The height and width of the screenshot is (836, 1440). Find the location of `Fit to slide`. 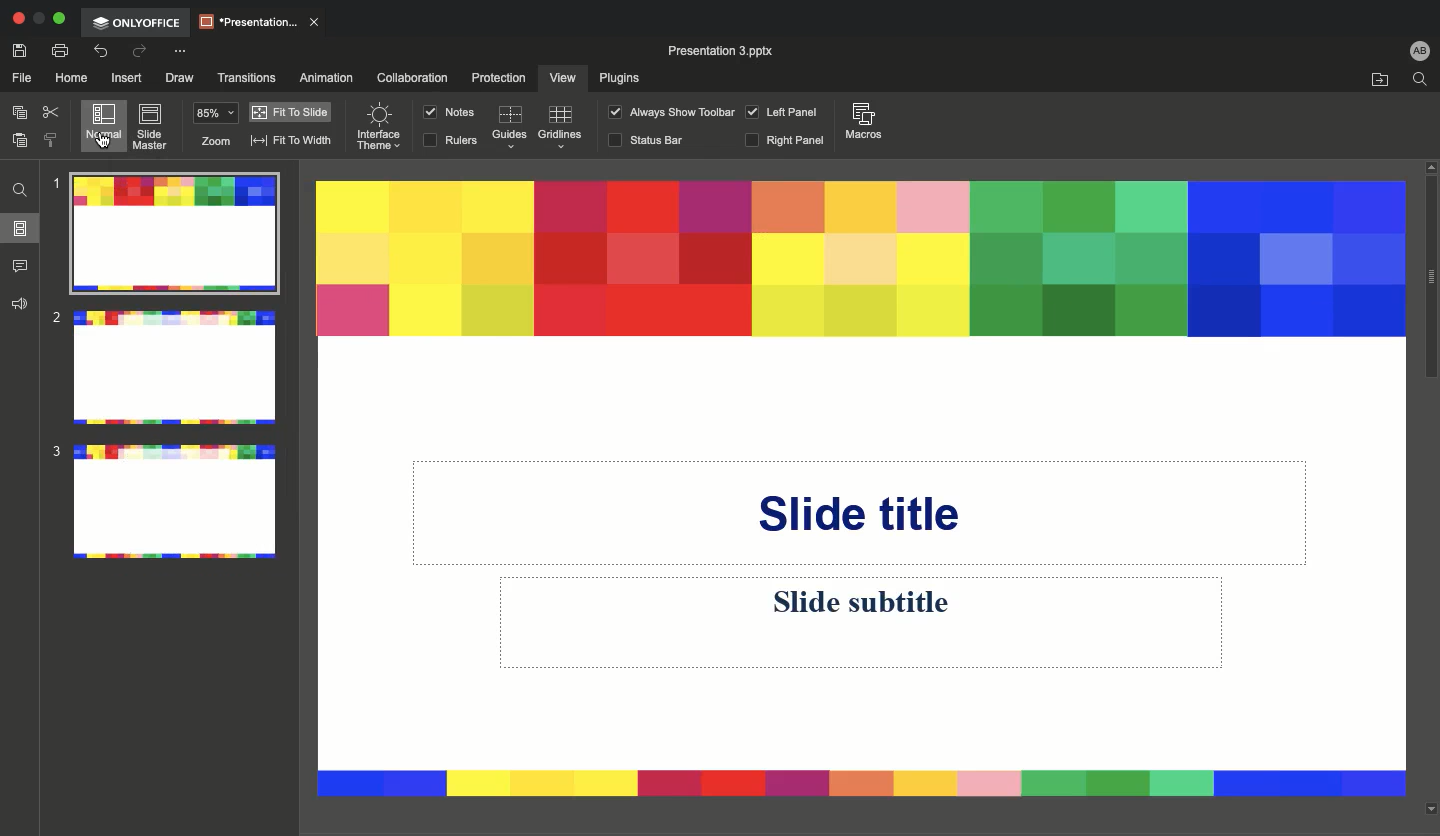

Fit to slide is located at coordinates (290, 110).